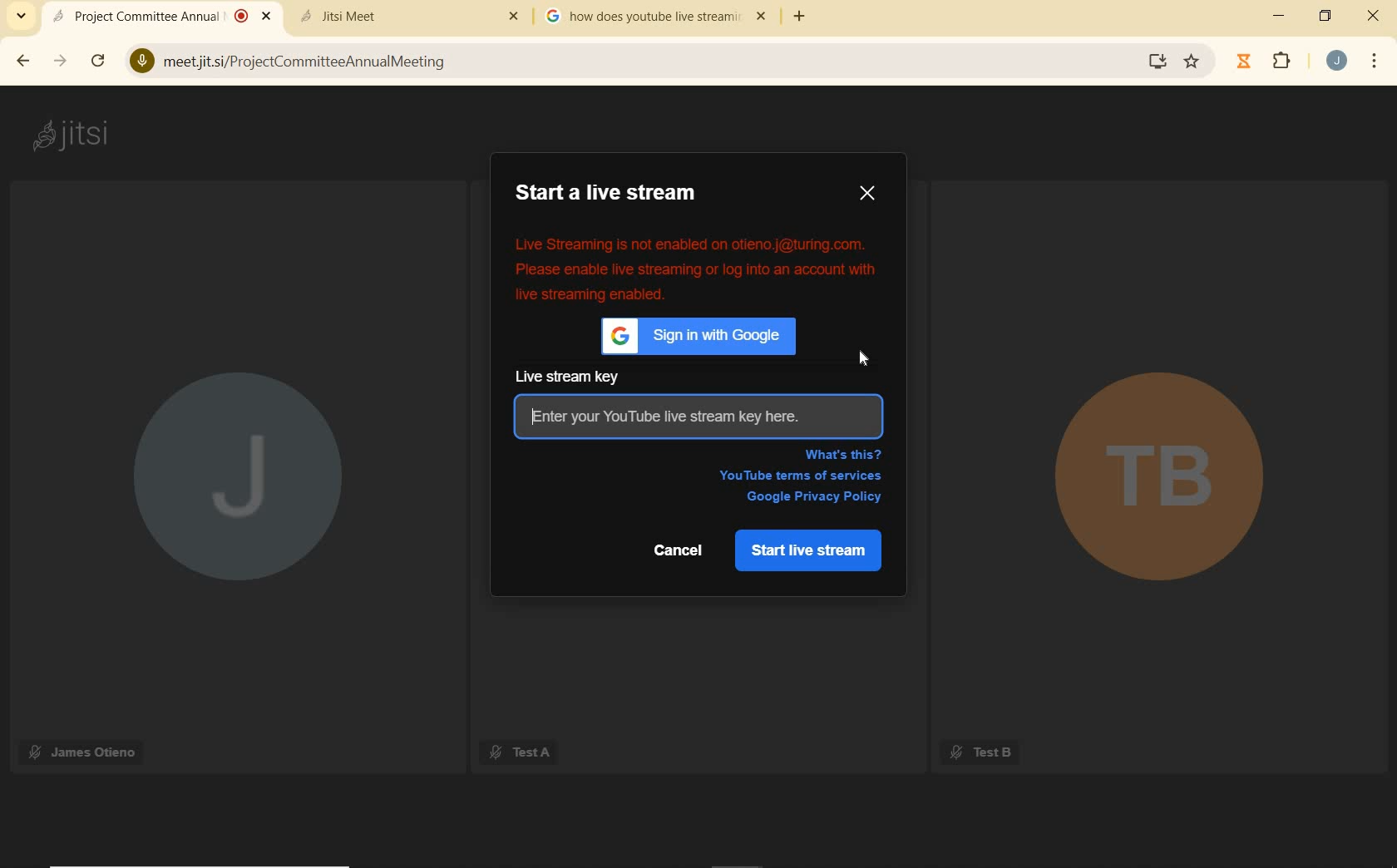  Describe the element at coordinates (805, 17) in the screenshot. I see `add tab` at that location.